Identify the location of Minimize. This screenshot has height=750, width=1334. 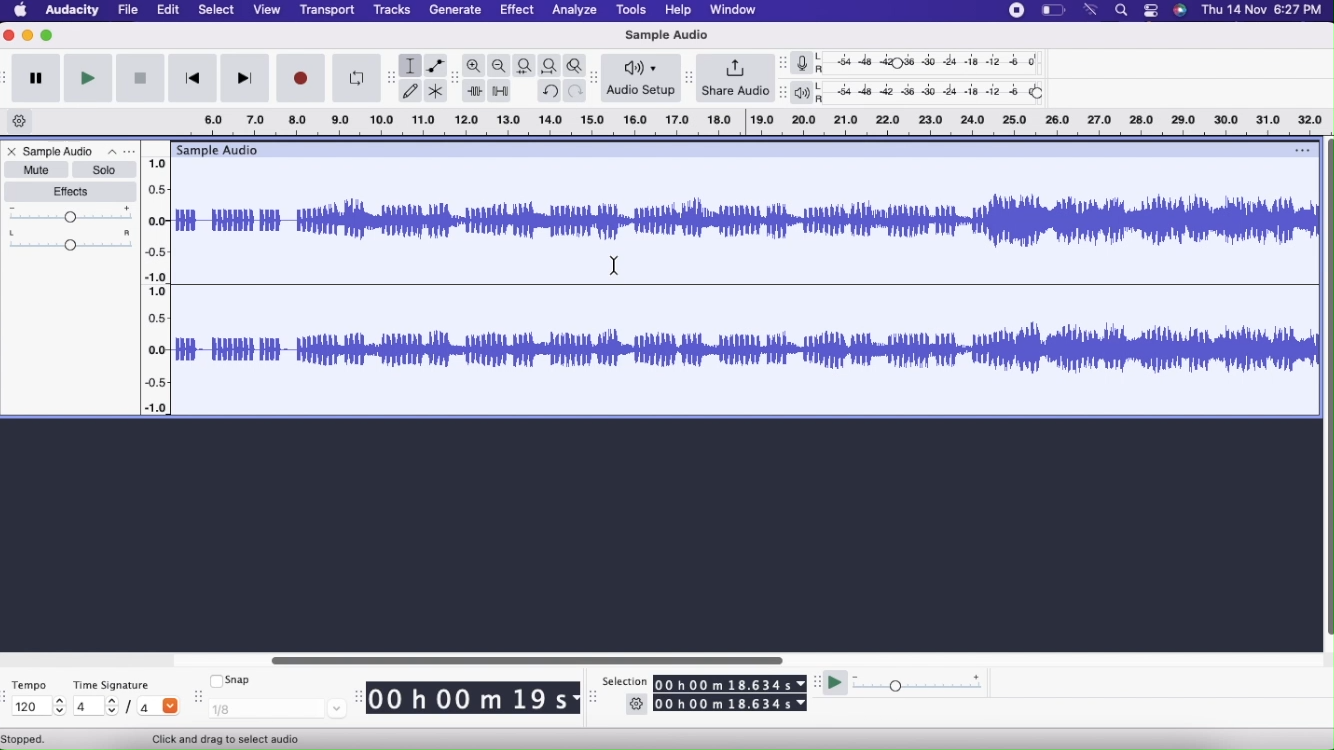
(28, 35).